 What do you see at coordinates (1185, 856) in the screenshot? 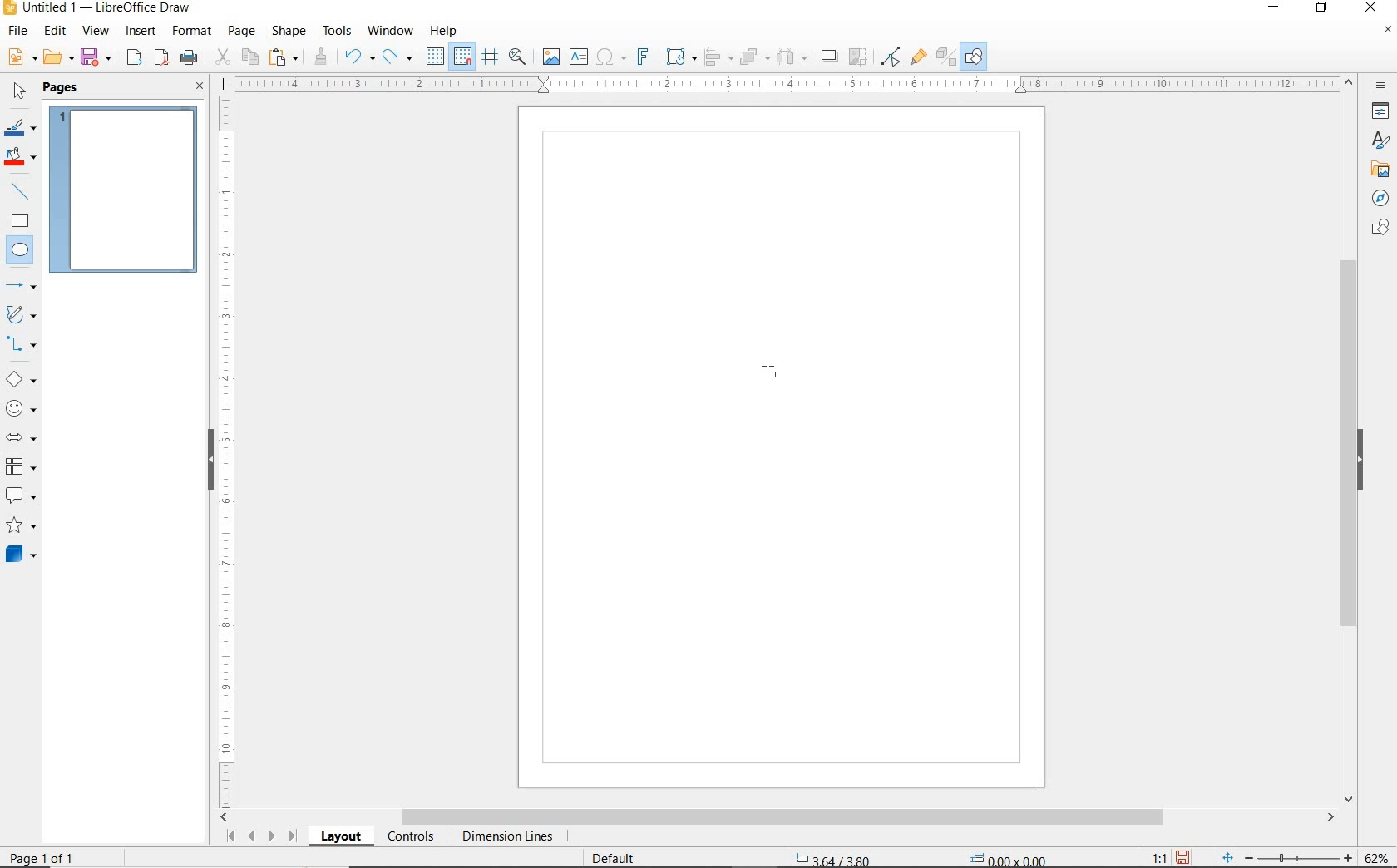
I see `SAVE` at bounding box center [1185, 856].